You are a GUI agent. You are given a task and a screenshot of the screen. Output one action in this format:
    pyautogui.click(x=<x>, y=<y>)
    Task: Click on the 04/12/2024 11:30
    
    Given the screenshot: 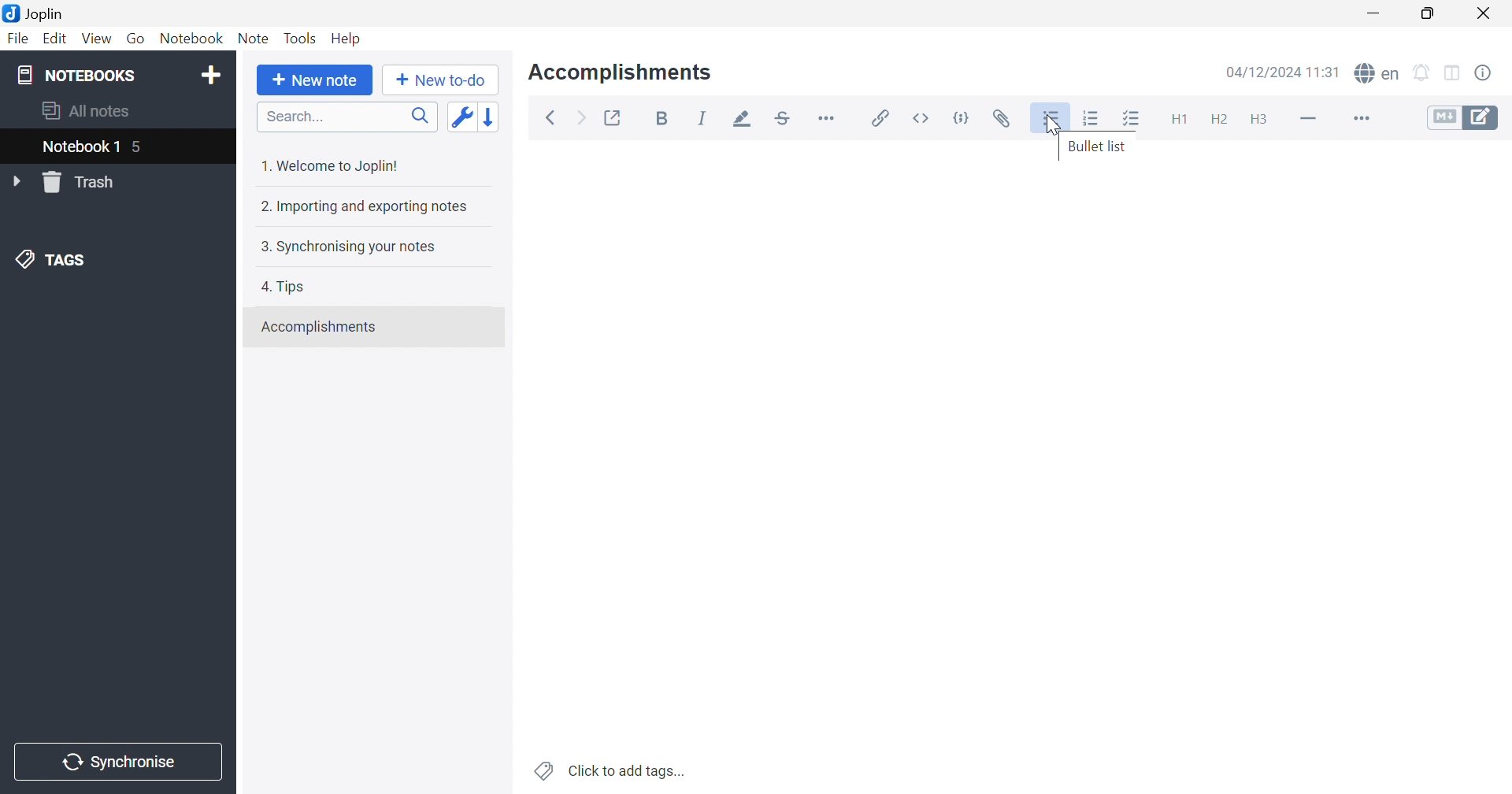 What is the action you would take?
    pyautogui.click(x=1283, y=71)
    